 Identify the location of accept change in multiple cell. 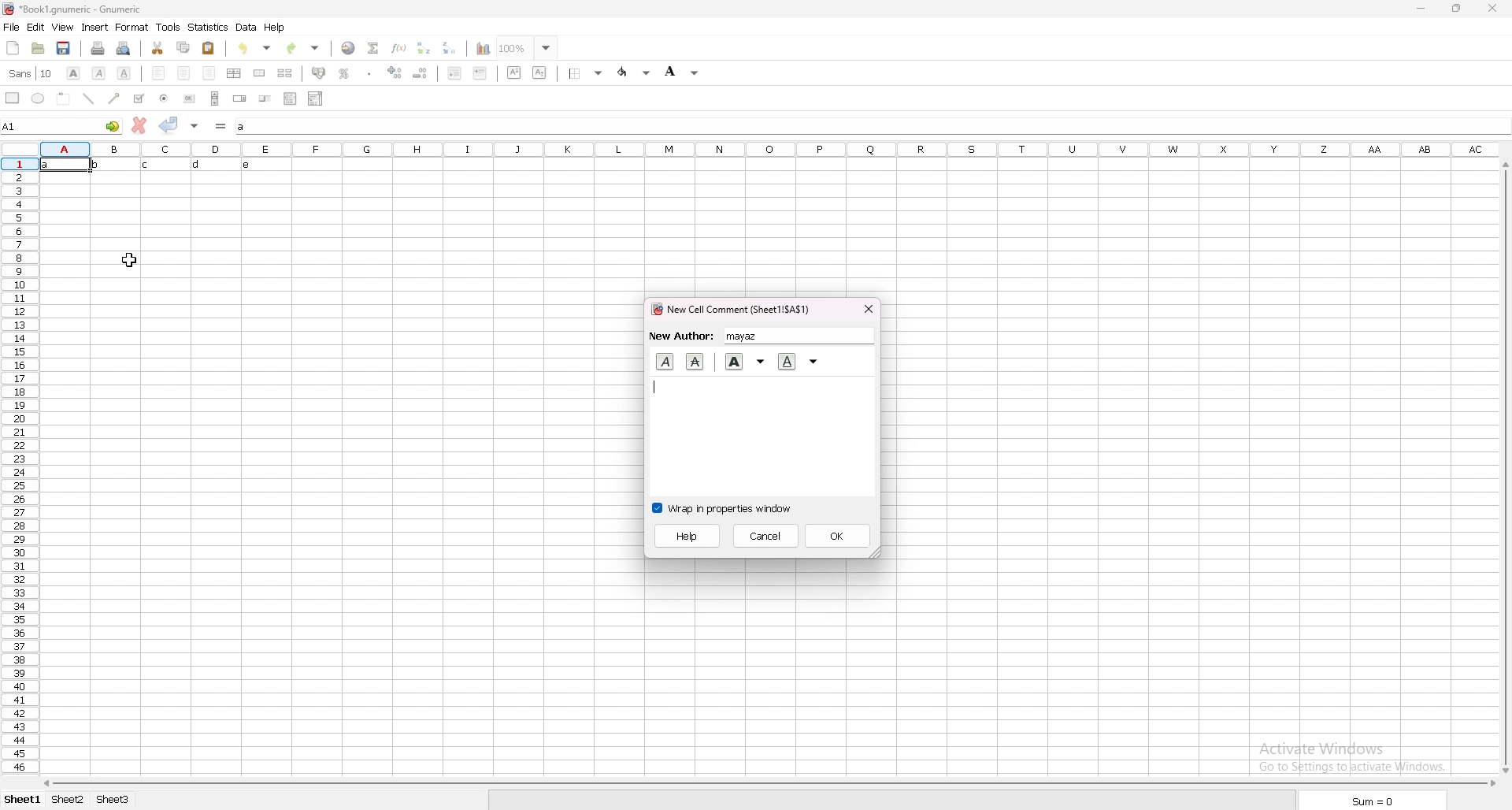
(195, 126).